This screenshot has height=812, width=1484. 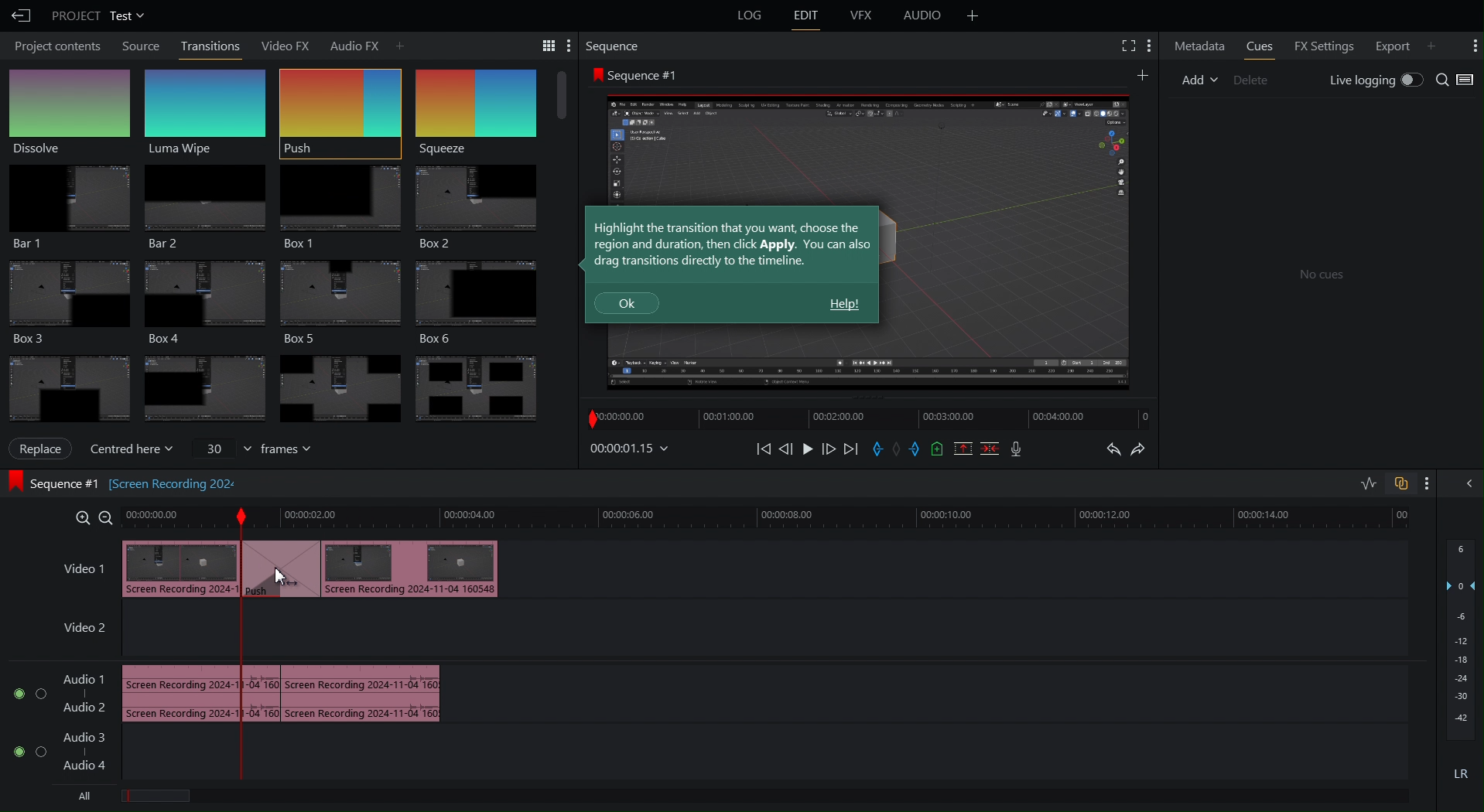 I want to click on Play, so click(x=807, y=449).